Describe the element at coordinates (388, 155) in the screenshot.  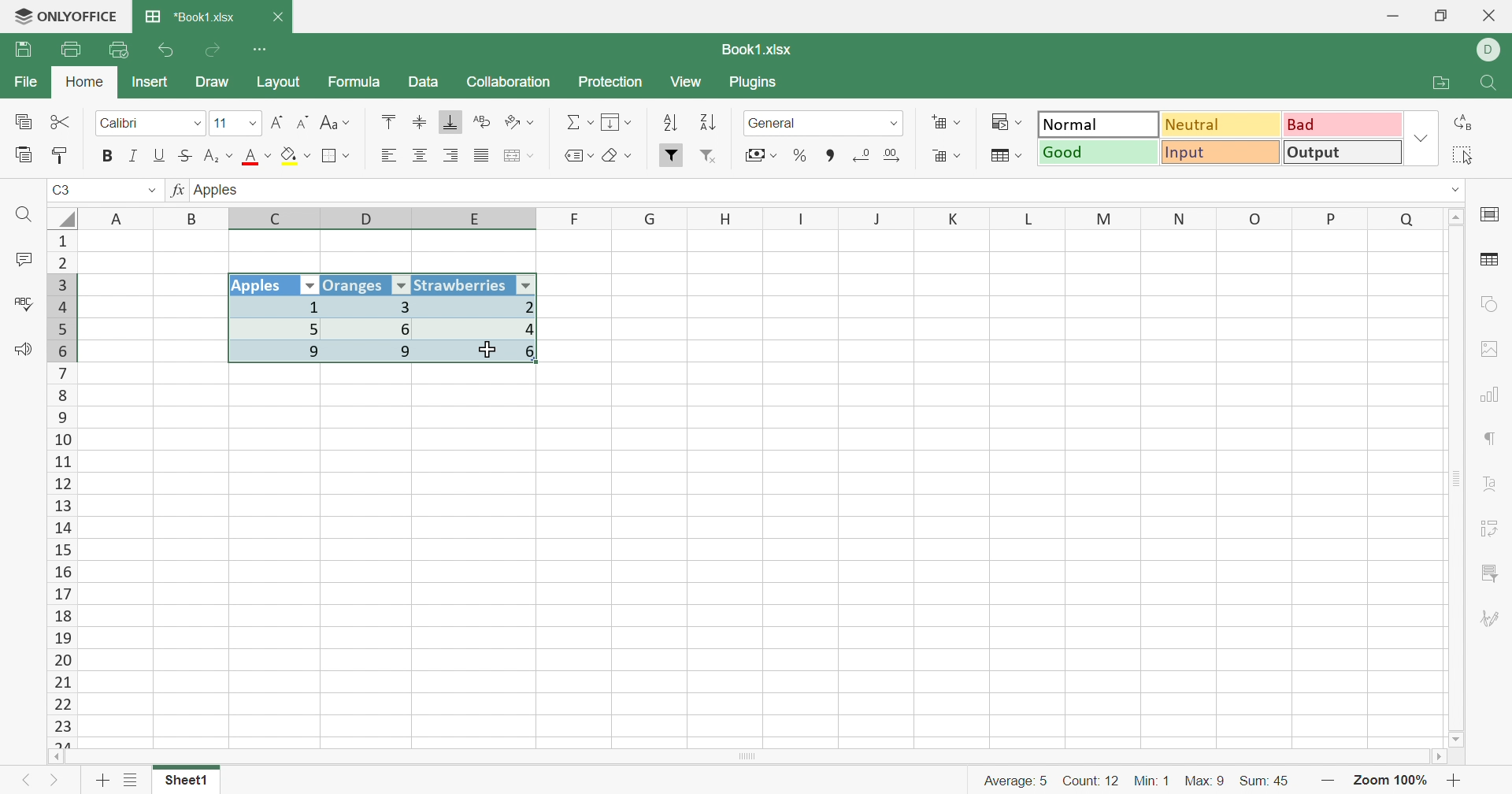
I see `Align Right` at that location.